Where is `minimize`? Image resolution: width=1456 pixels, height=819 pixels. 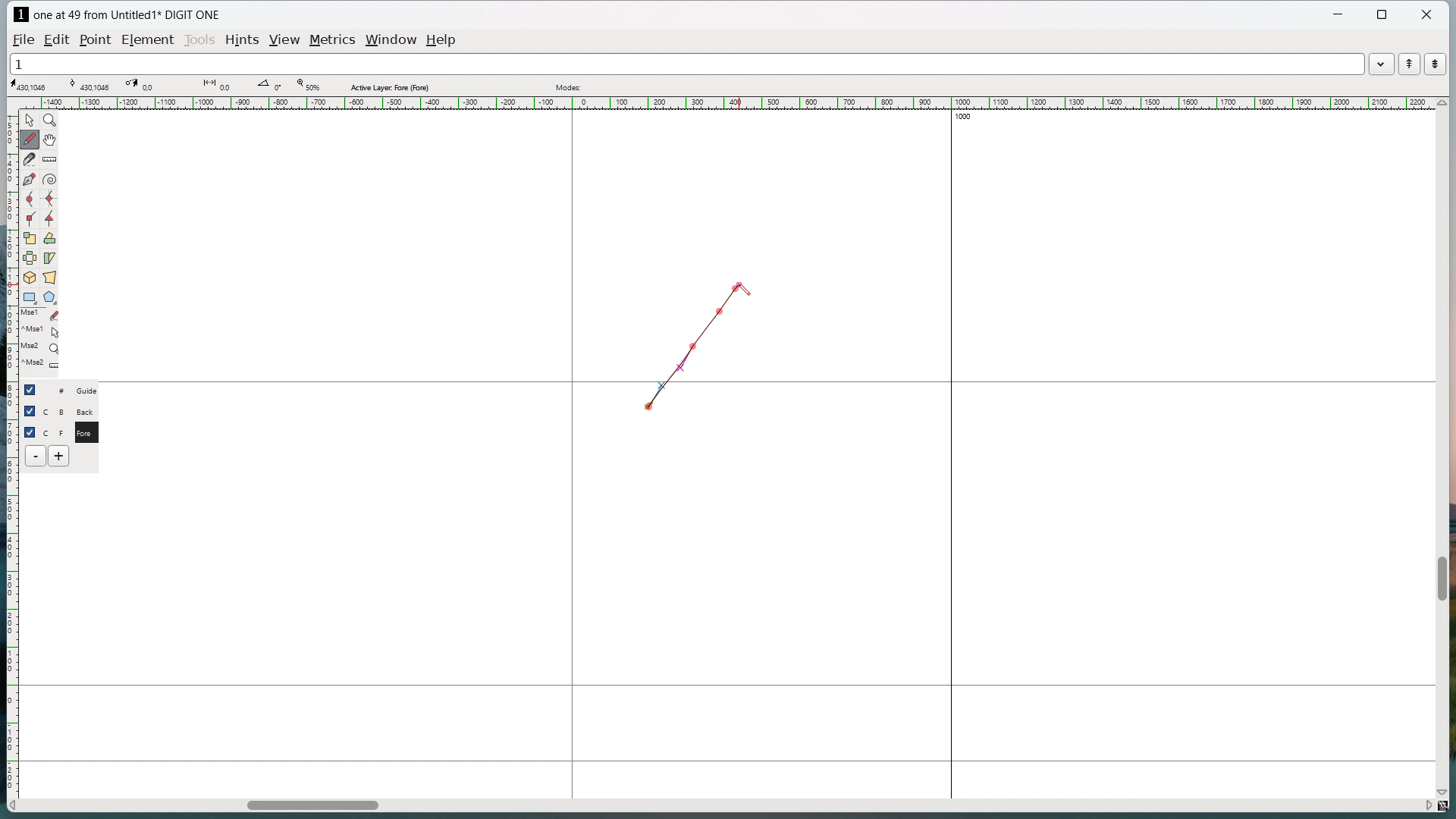
minimize is located at coordinates (1340, 16).